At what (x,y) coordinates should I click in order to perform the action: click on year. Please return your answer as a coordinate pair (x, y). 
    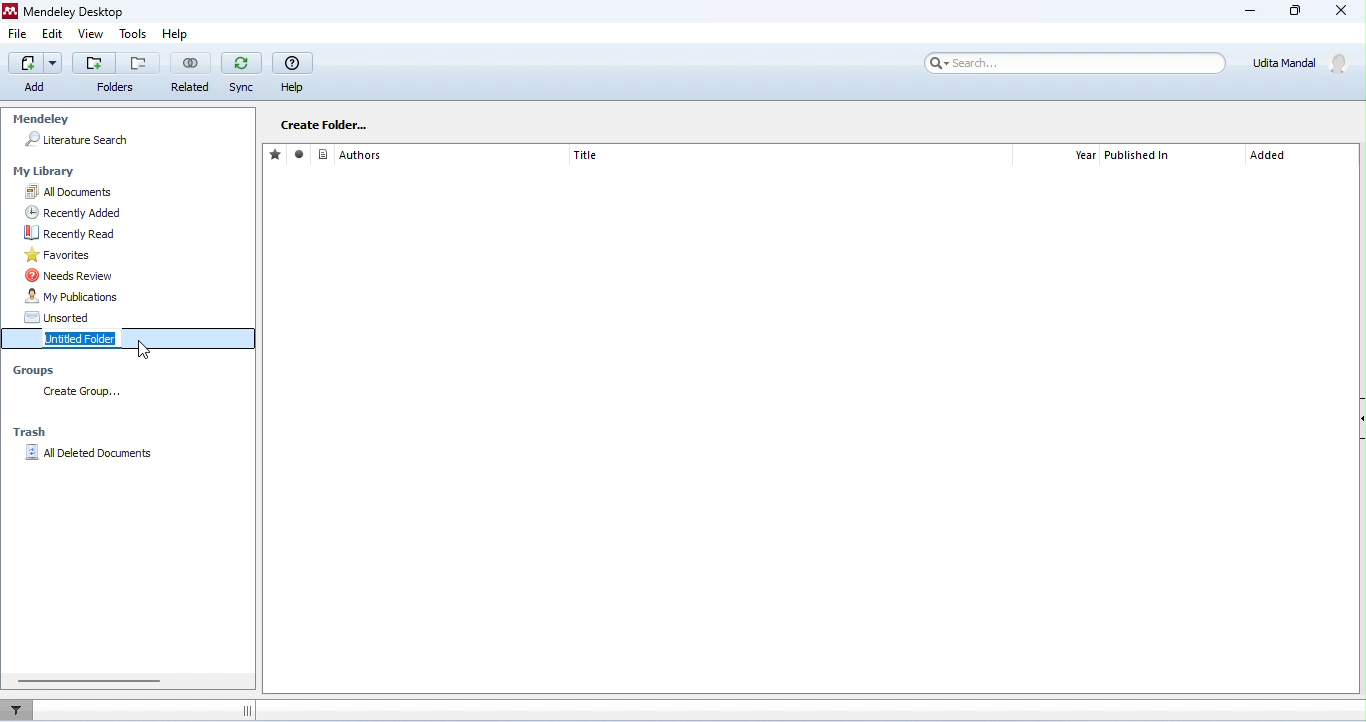
    Looking at the image, I should click on (1085, 156).